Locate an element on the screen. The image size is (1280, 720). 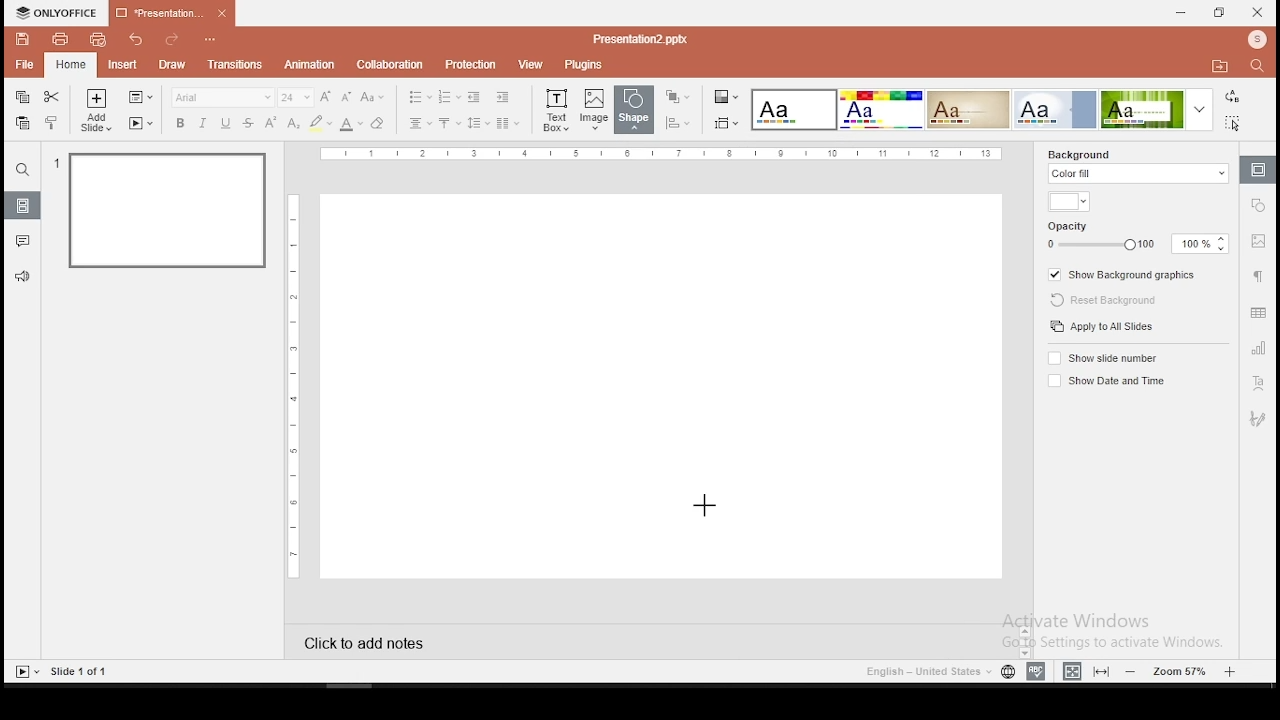
 is located at coordinates (880, 110).